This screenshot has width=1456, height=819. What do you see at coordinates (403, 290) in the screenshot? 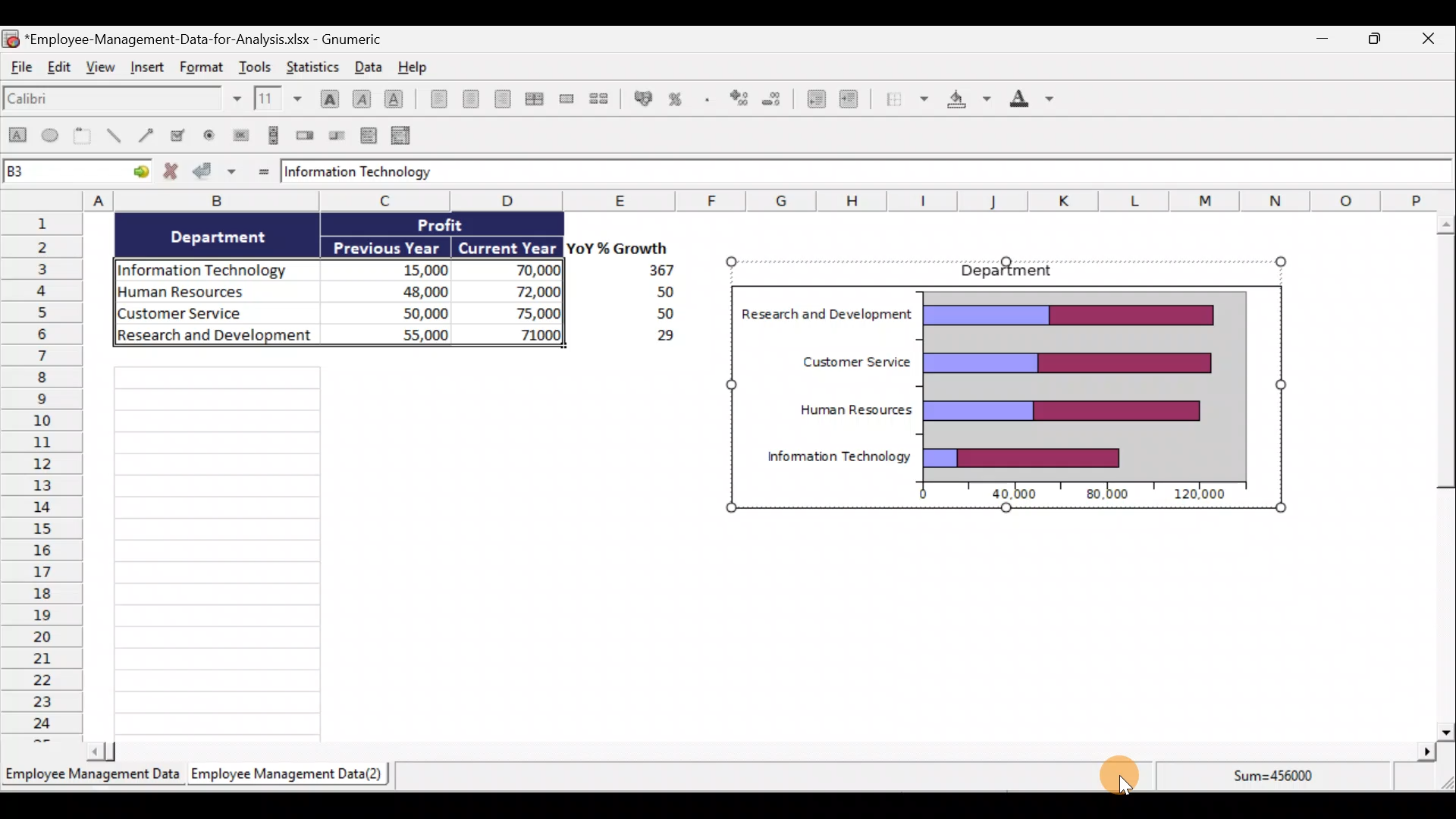
I see `48,000` at bounding box center [403, 290].